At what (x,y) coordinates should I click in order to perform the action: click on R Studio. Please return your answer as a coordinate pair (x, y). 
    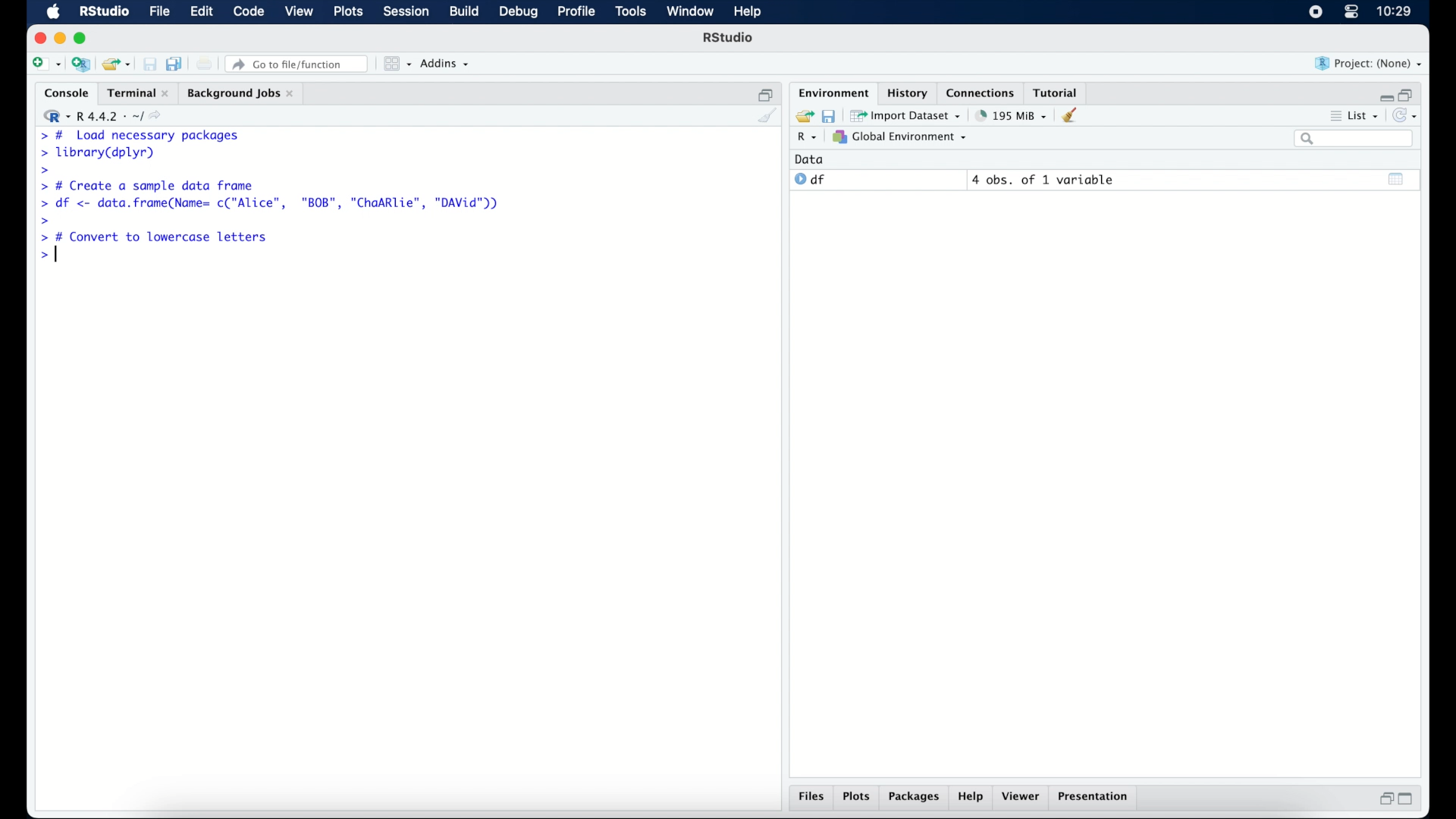
    Looking at the image, I should click on (730, 39).